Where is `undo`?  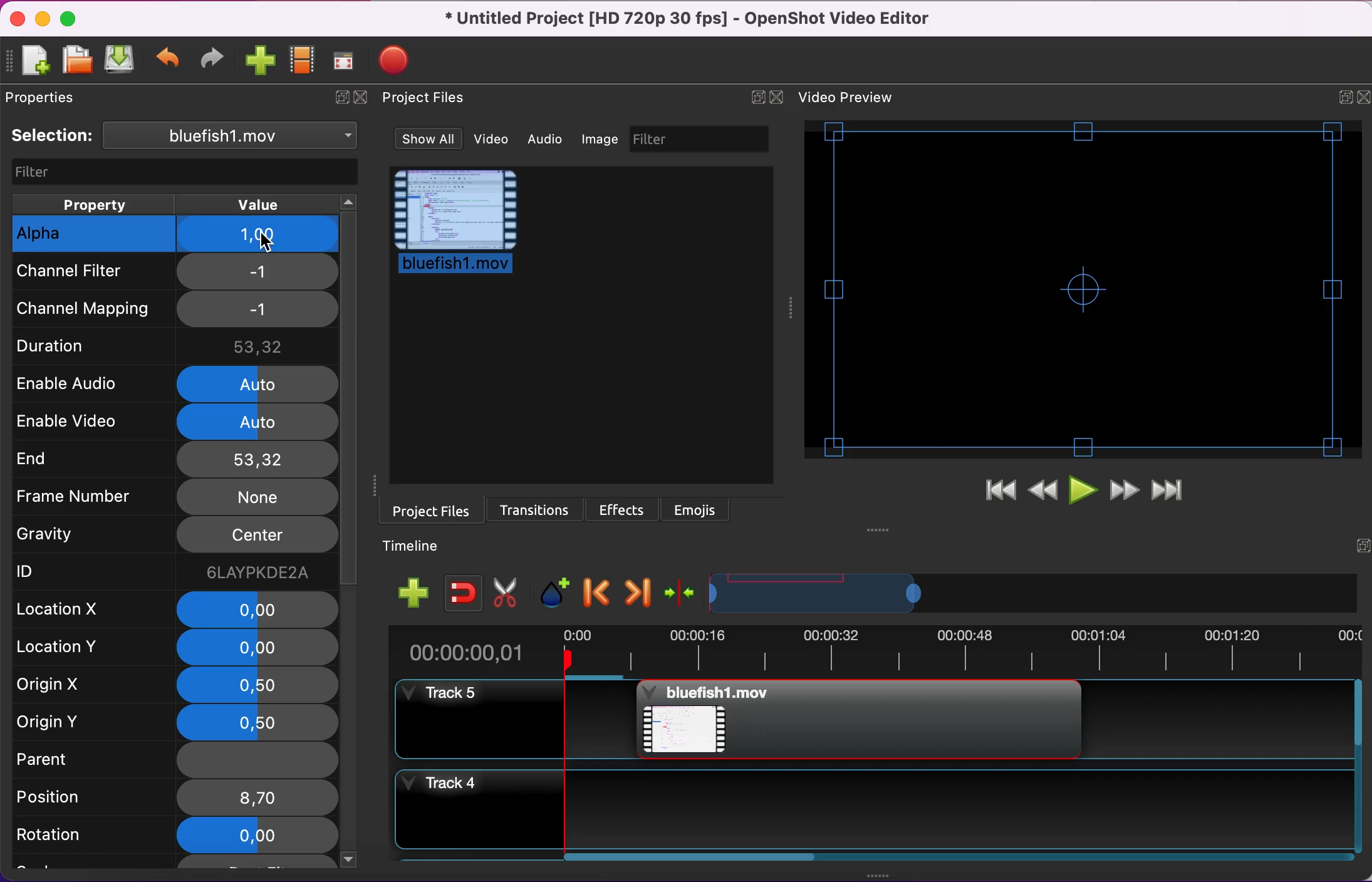
undo is located at coordinates (167, 63).